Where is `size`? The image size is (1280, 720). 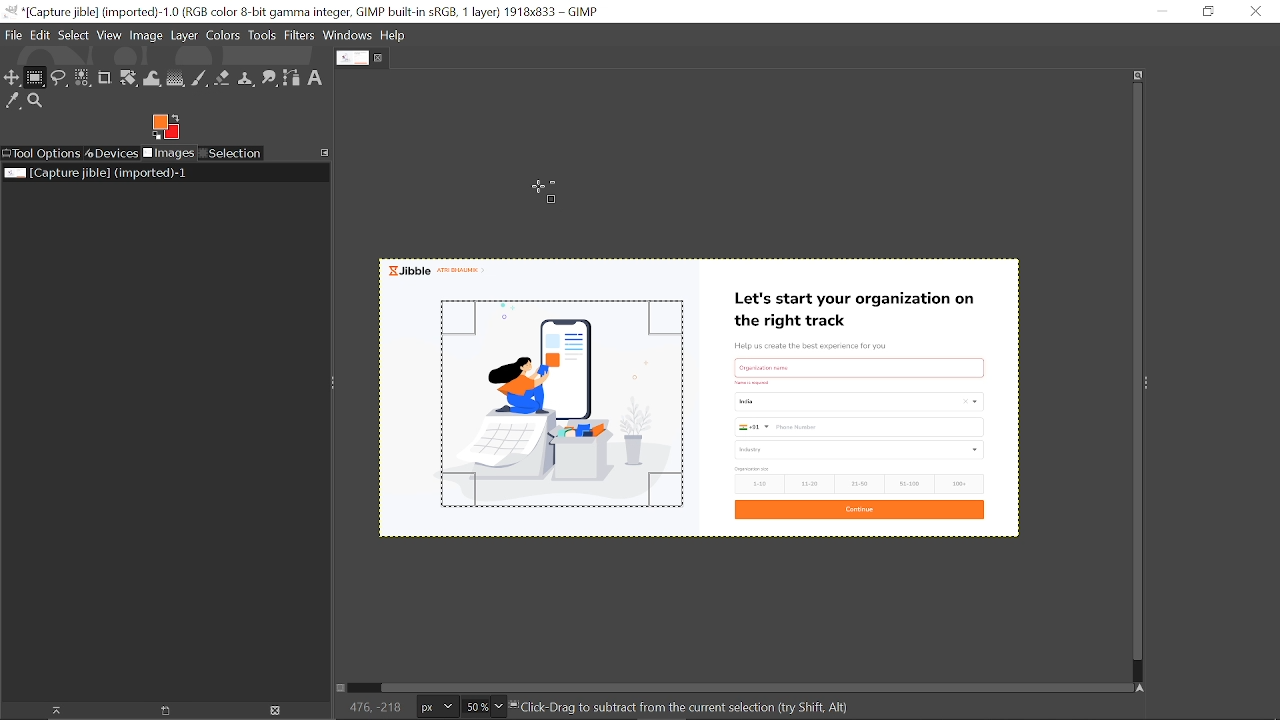
size is located at coordinates (752, 469).